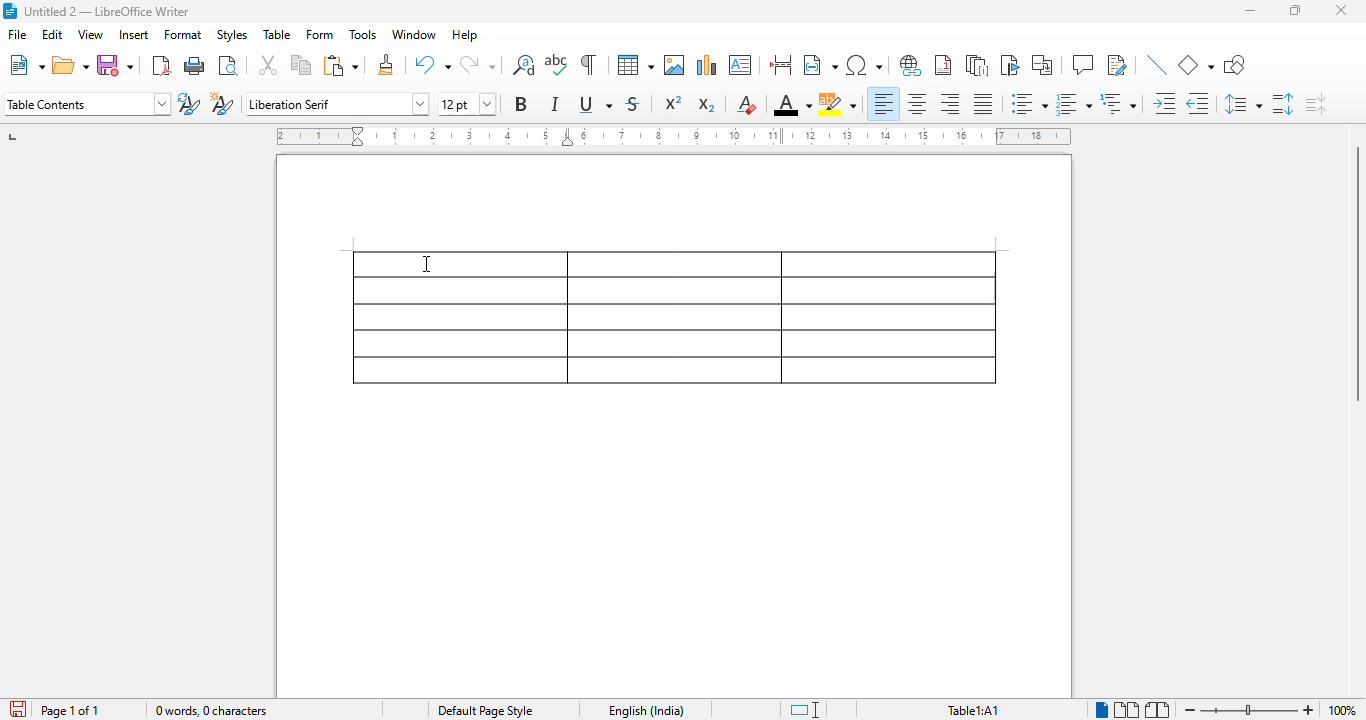 The image size is (1366, 720). I want to click on insert chart, so click(708, 65).